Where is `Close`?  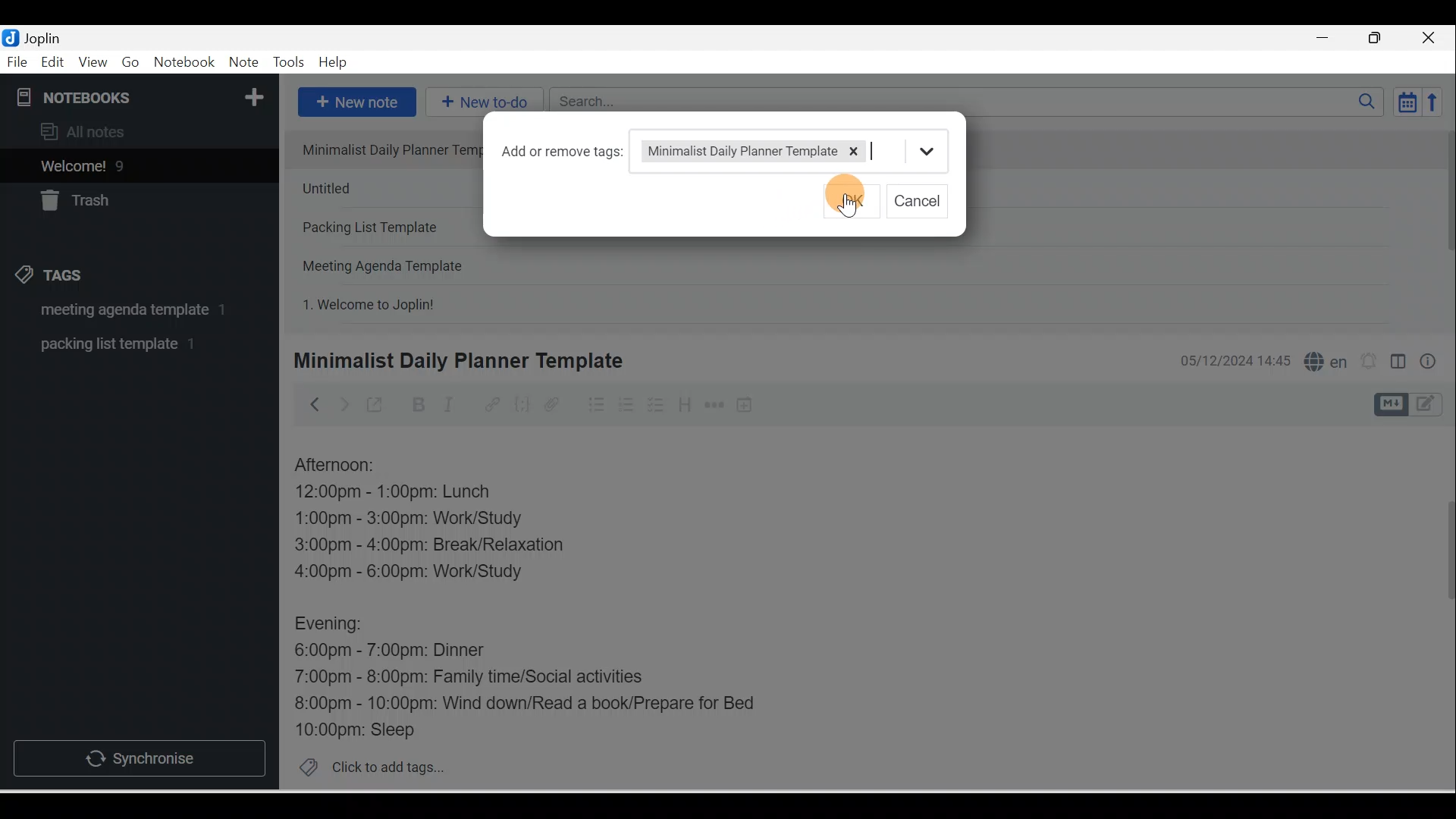
Close is located at coordinates (1432, 38).